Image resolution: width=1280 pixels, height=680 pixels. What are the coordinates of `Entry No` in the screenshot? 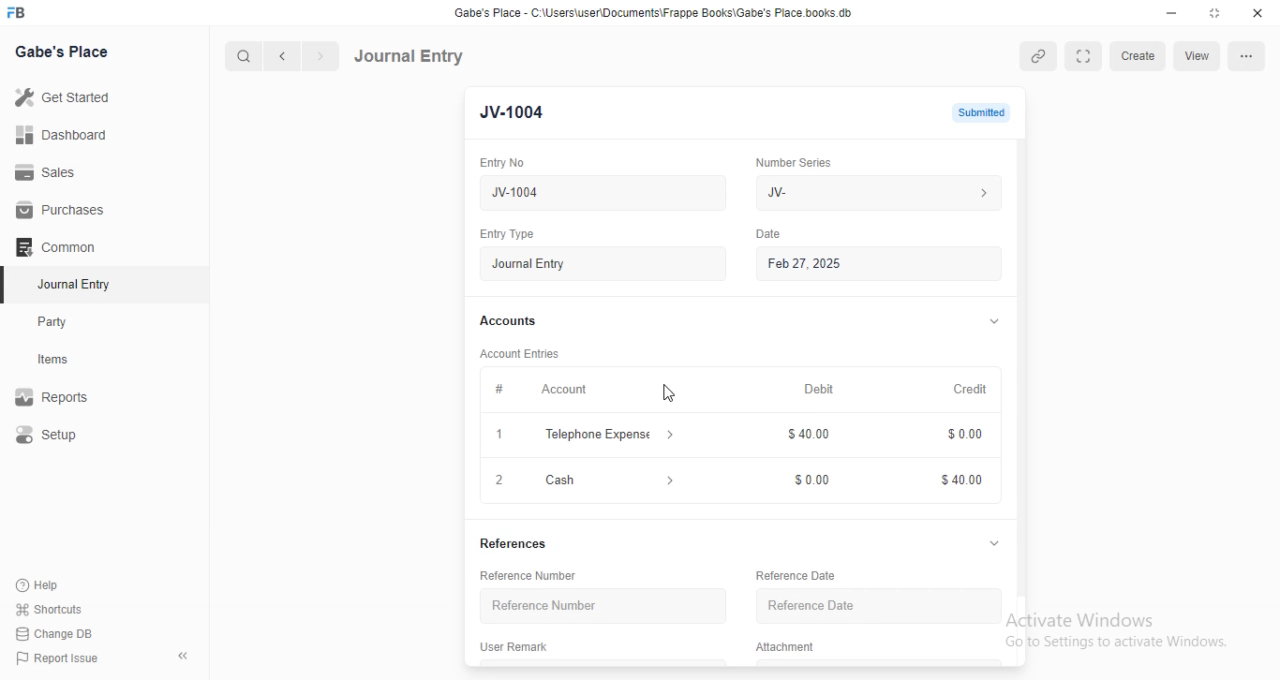 It's located at (500, 161).